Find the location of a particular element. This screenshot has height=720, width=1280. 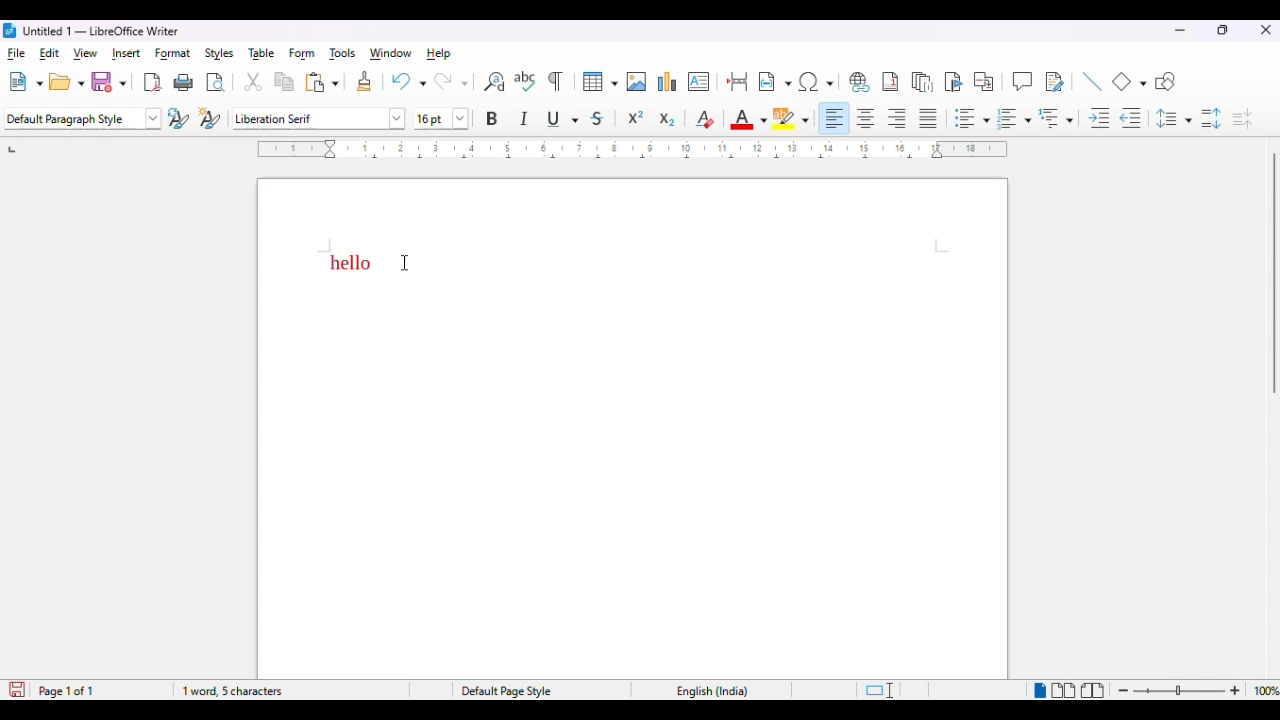

zoom in is located at coordinates (1234, 691).